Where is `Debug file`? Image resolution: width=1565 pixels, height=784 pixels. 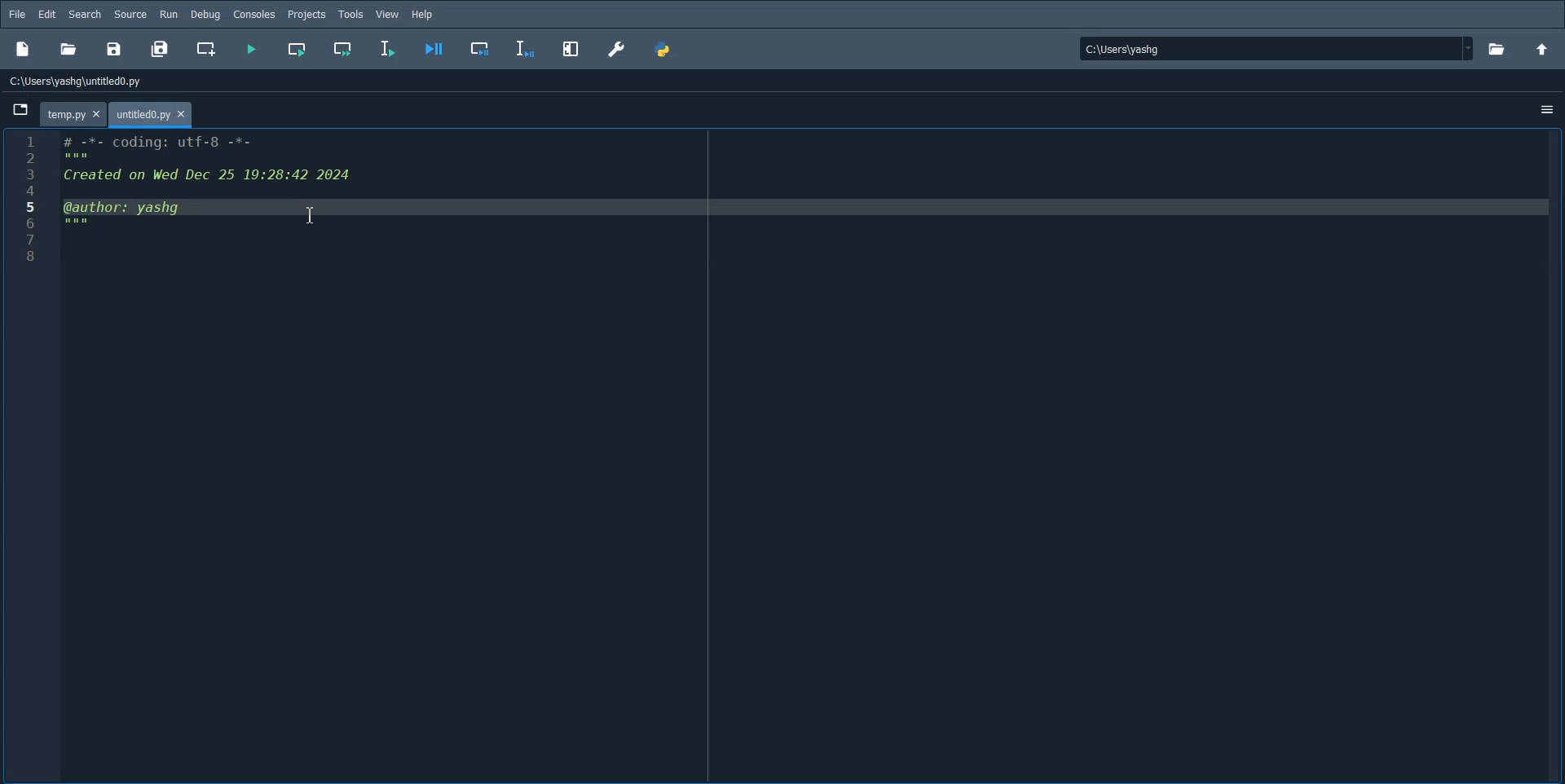
Debug file is located at coordinates (433, 51).